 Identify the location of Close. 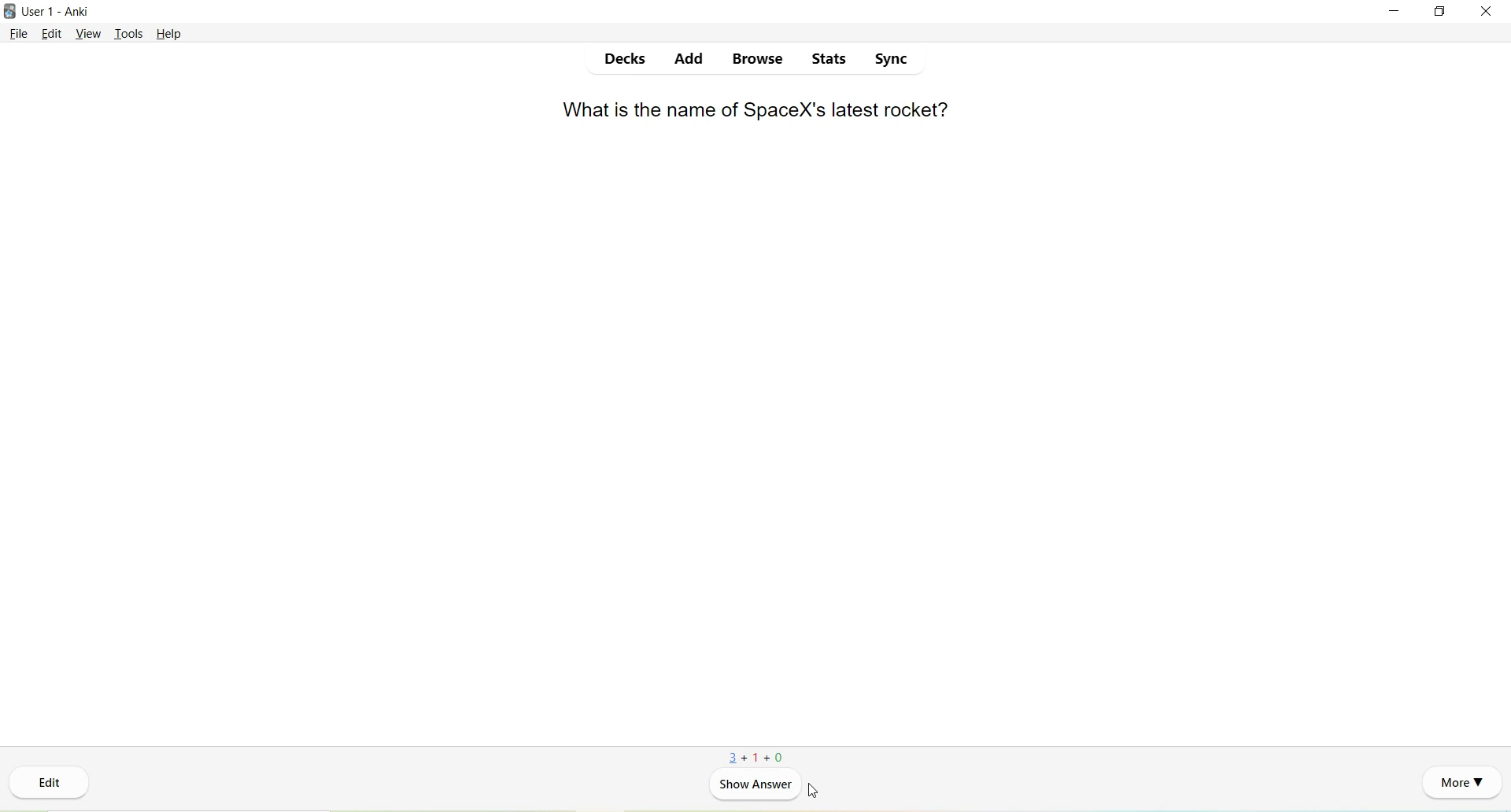
(1487, 11).